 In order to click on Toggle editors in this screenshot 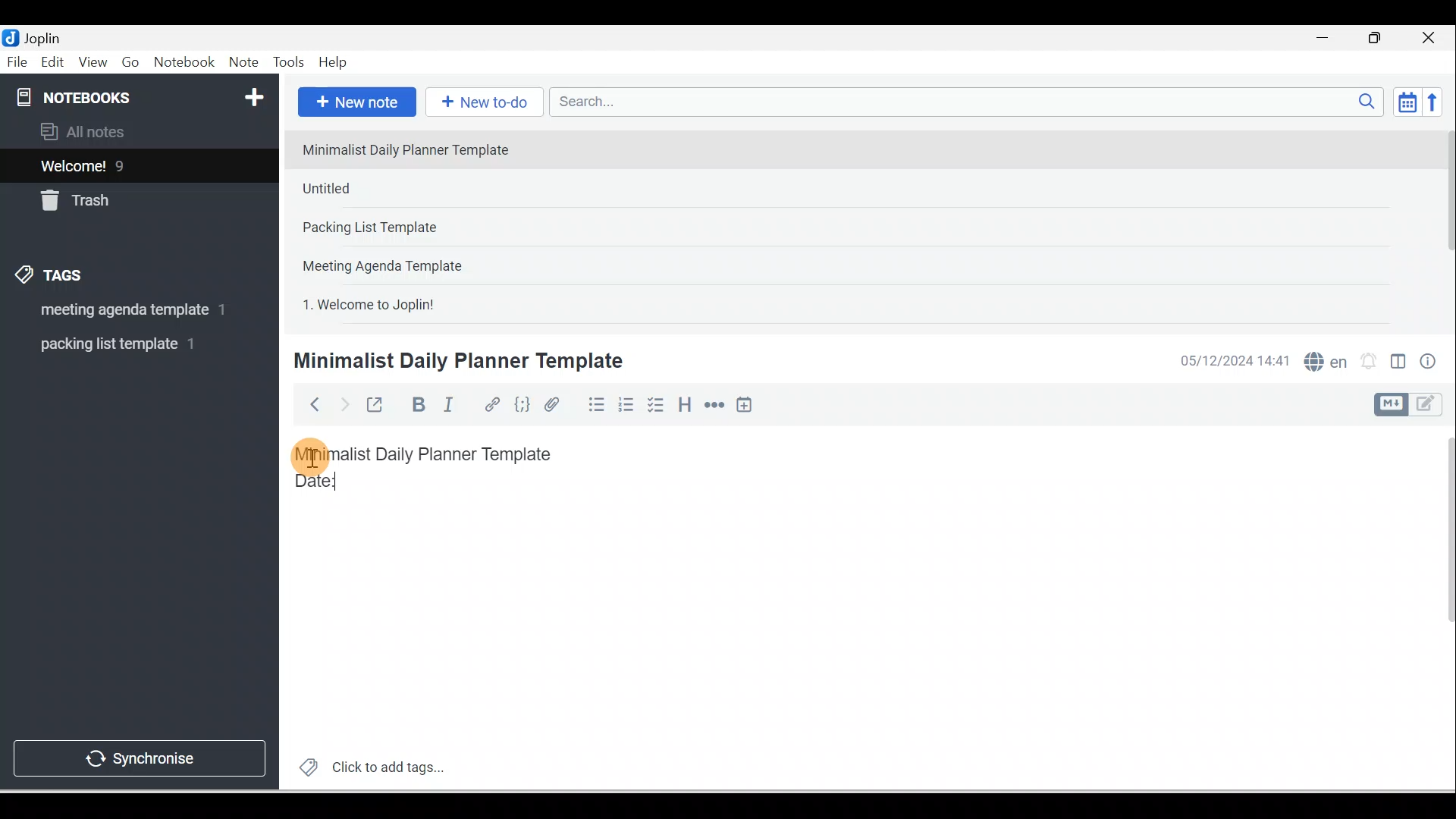, I will do `click(1398, 364)`.